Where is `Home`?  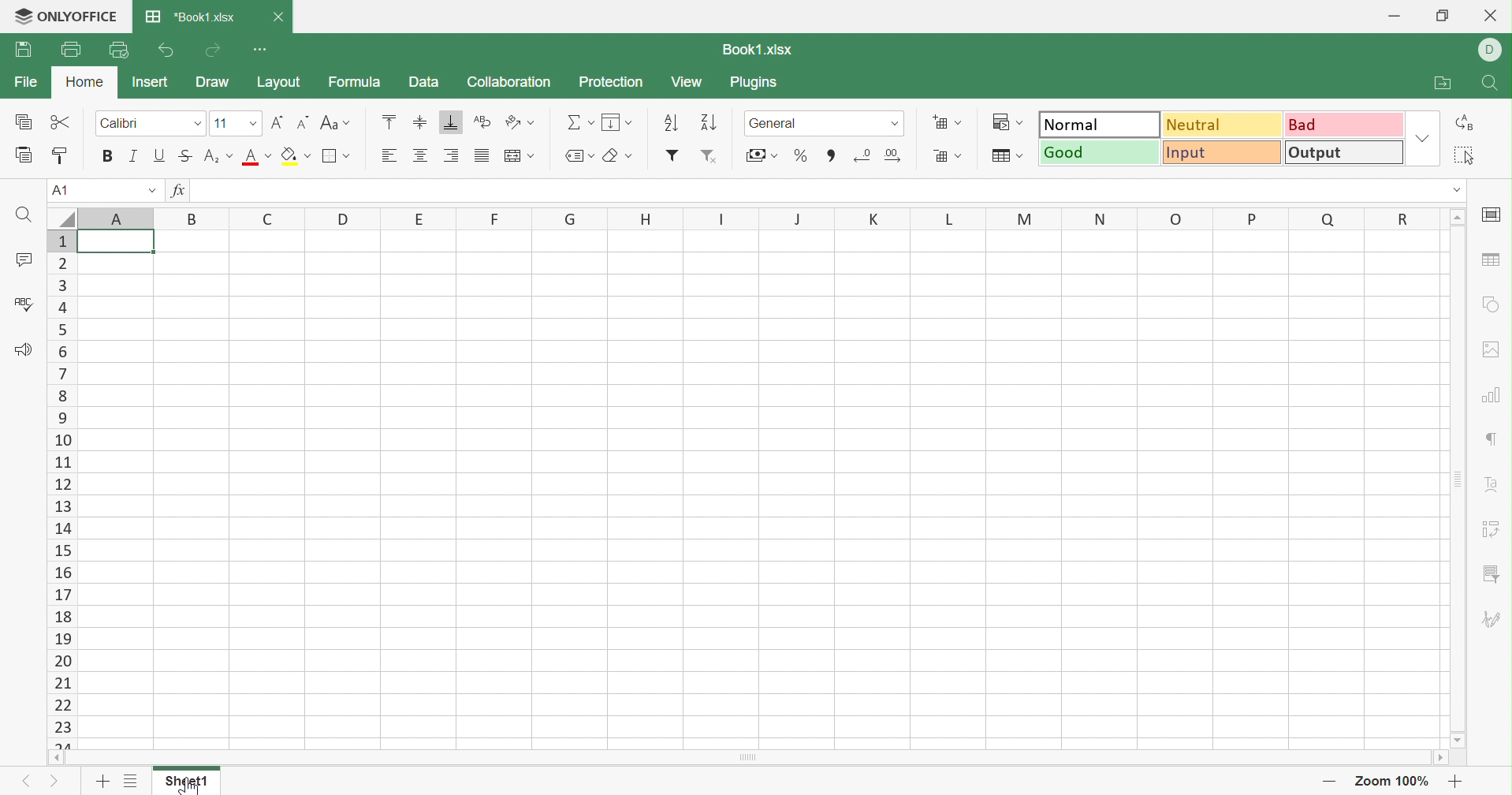
Home is located at coordinates (84, 83).